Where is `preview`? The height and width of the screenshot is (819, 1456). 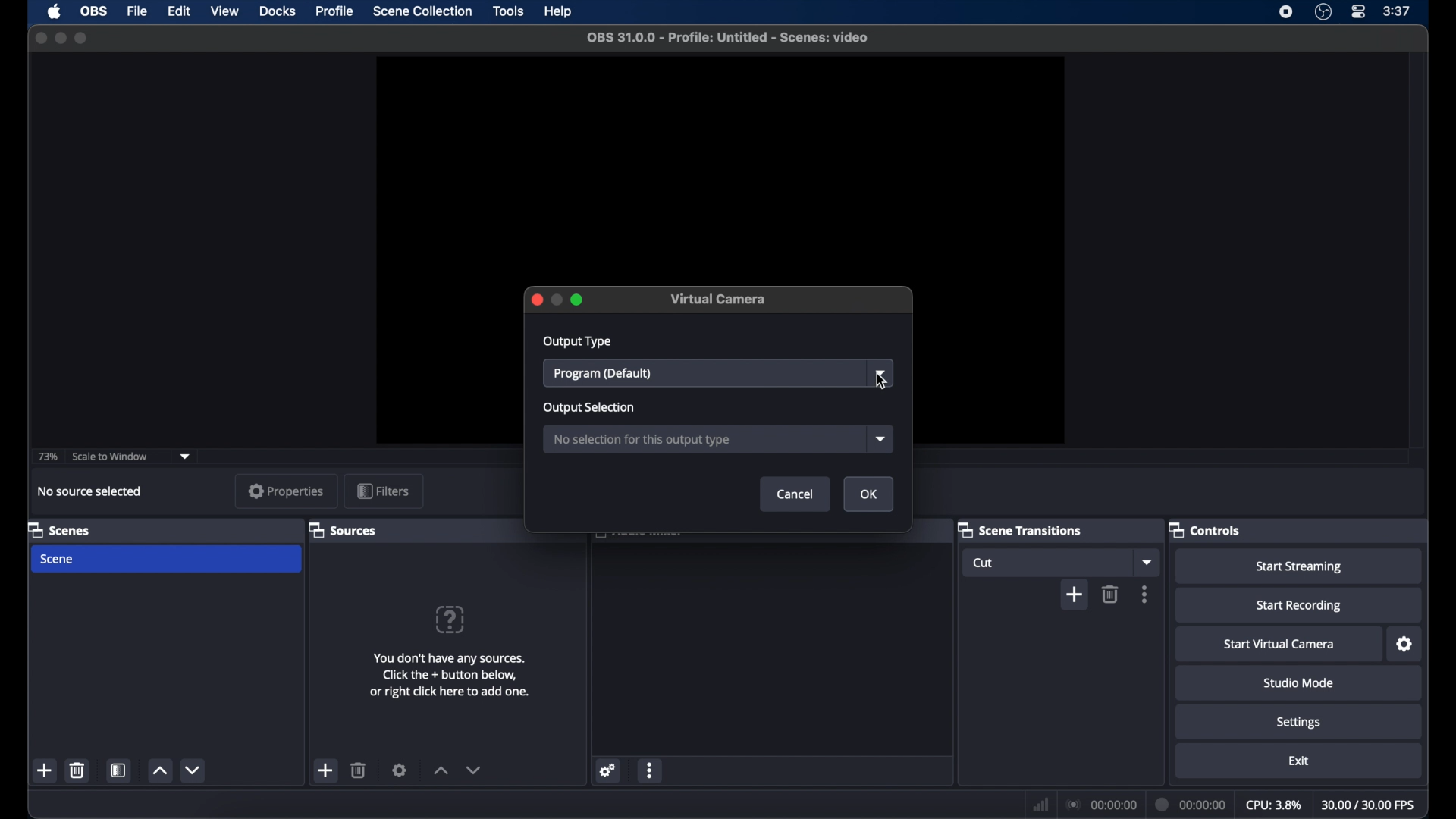 preview is located at coordinates (720, 161).